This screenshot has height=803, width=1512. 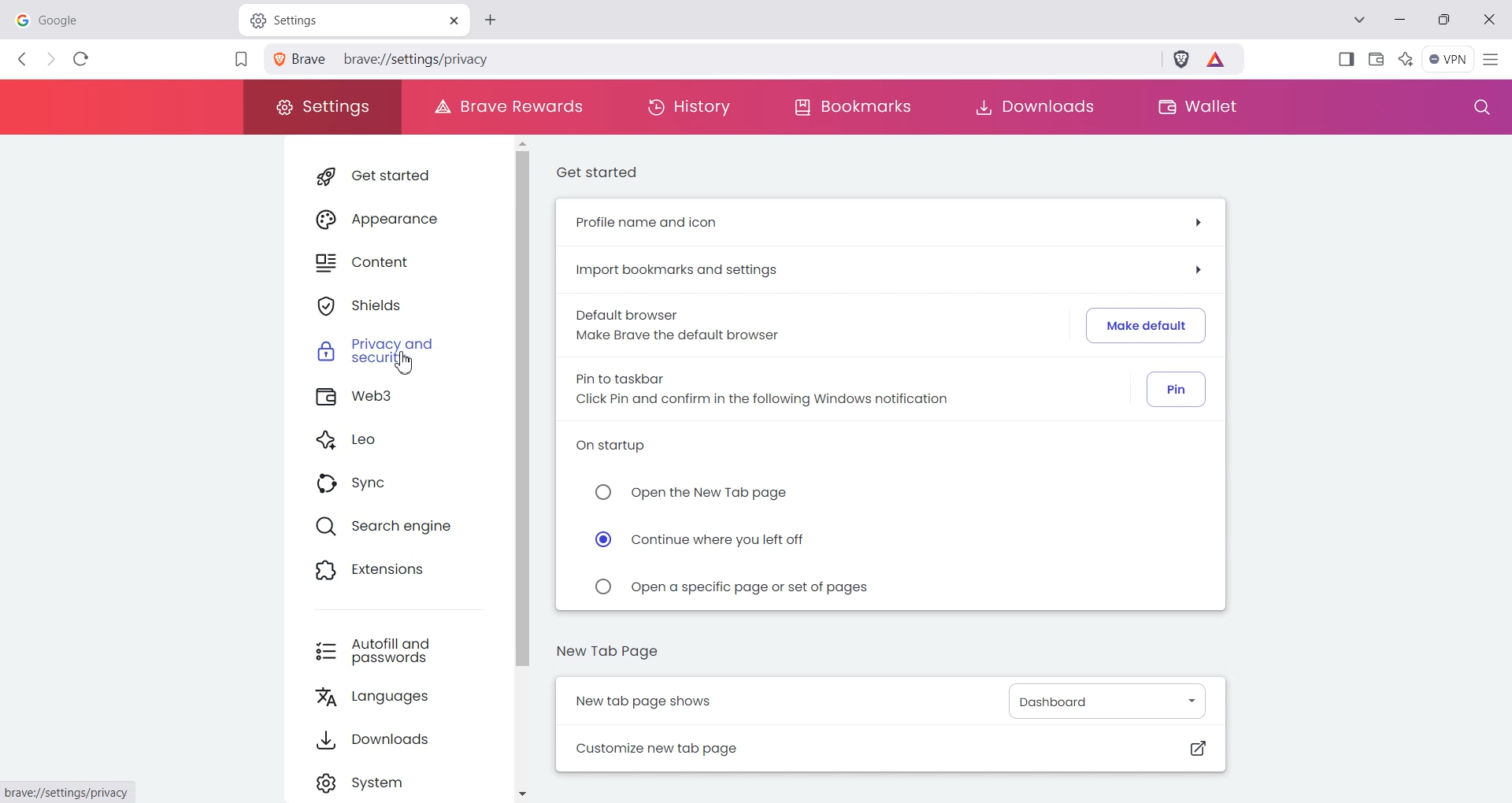 I want to click on Leo Ai, so click(x=1406, y=57).